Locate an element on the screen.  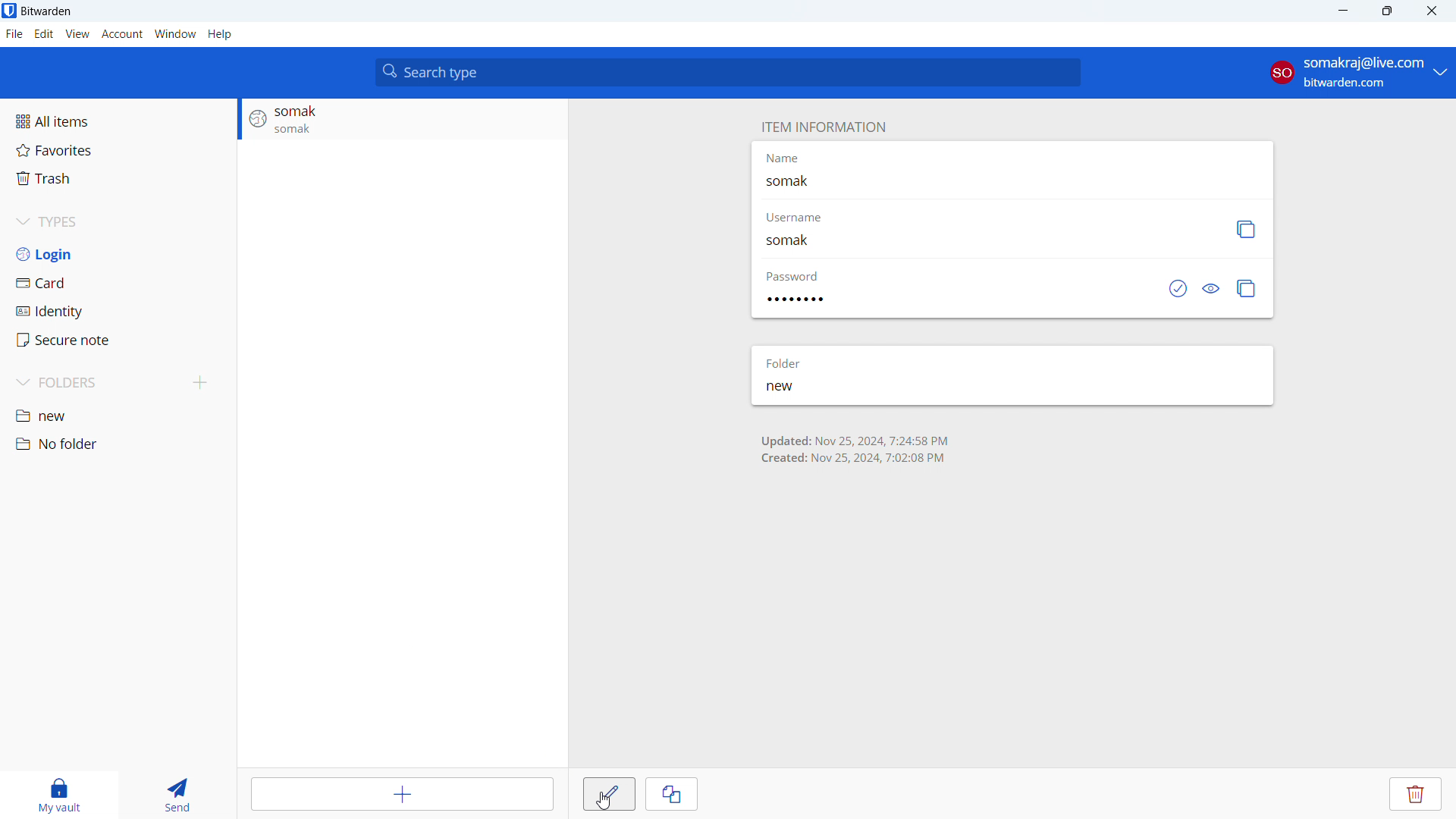
encrypted password is located at coordinates (802, 300).